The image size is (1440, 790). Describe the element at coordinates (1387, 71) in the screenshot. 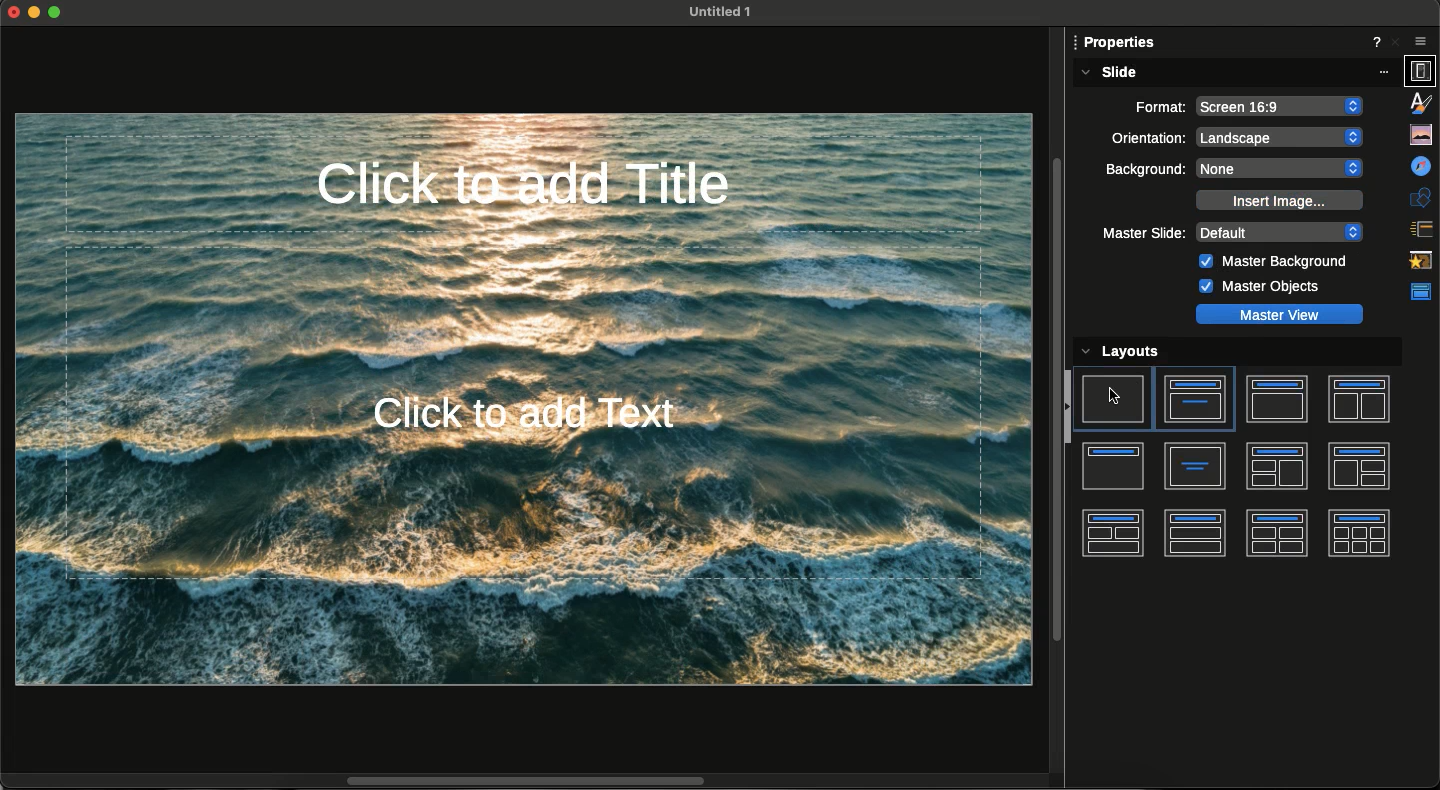

I see `More options` at that location.